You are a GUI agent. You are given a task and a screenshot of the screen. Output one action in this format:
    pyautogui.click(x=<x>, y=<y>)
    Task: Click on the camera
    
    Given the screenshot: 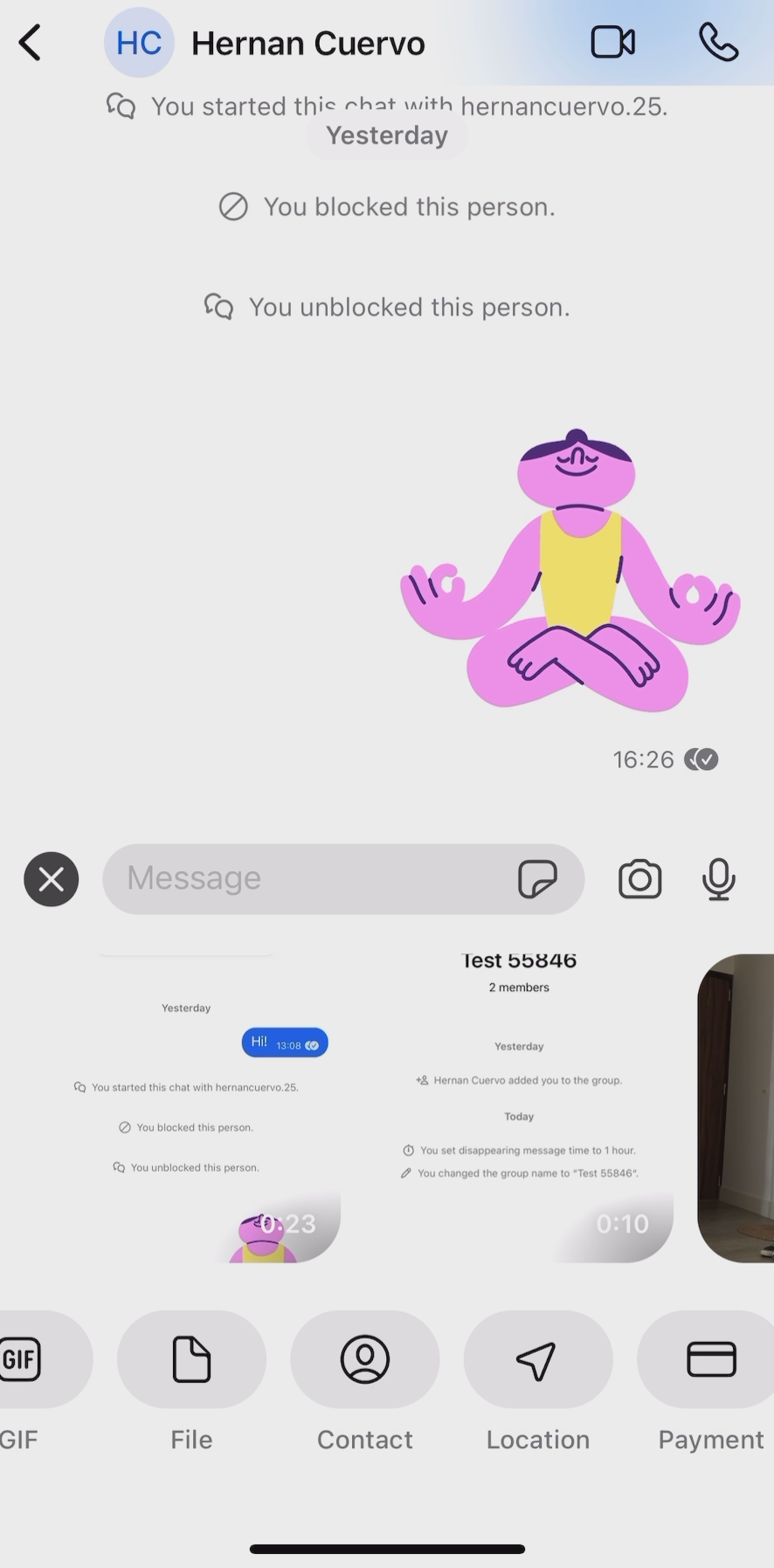 What is the action you would take?
    pyautogui.click(x=639, y=878)
    